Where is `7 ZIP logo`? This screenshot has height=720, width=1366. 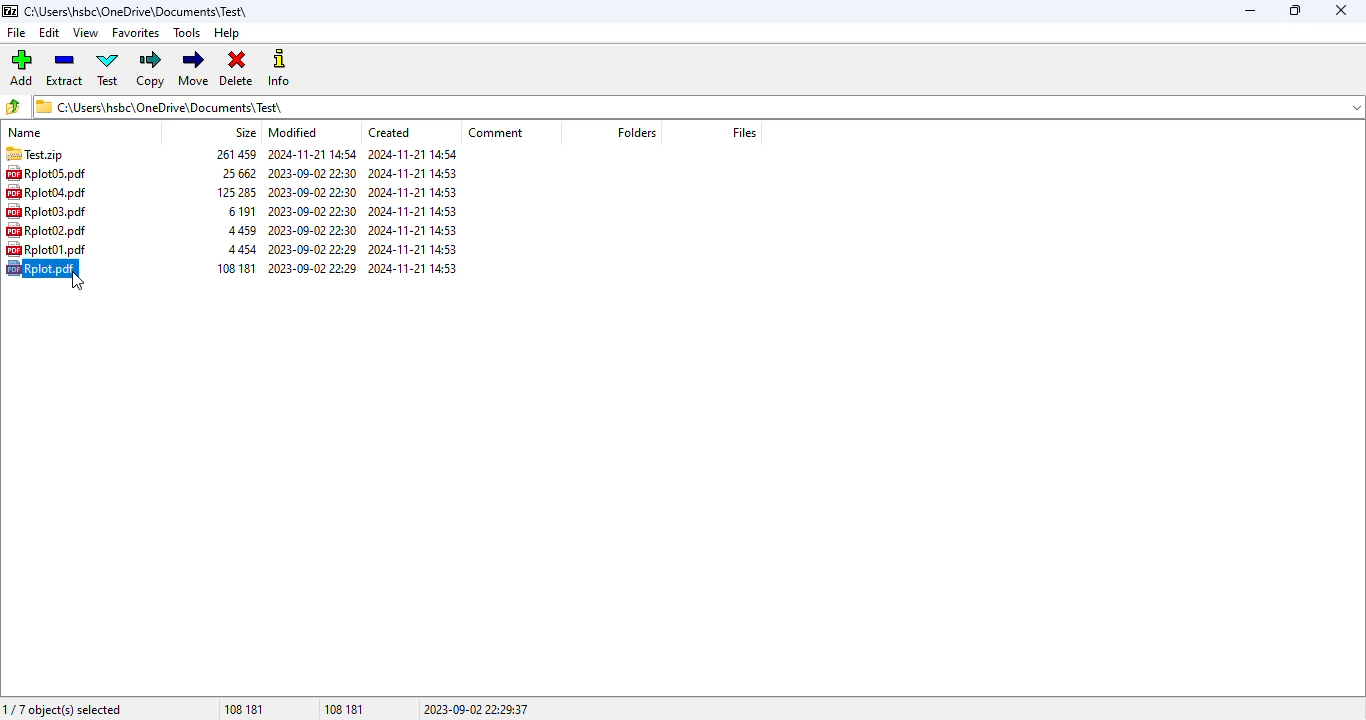 7 ZIP logo is located at coordinates (9, 12).